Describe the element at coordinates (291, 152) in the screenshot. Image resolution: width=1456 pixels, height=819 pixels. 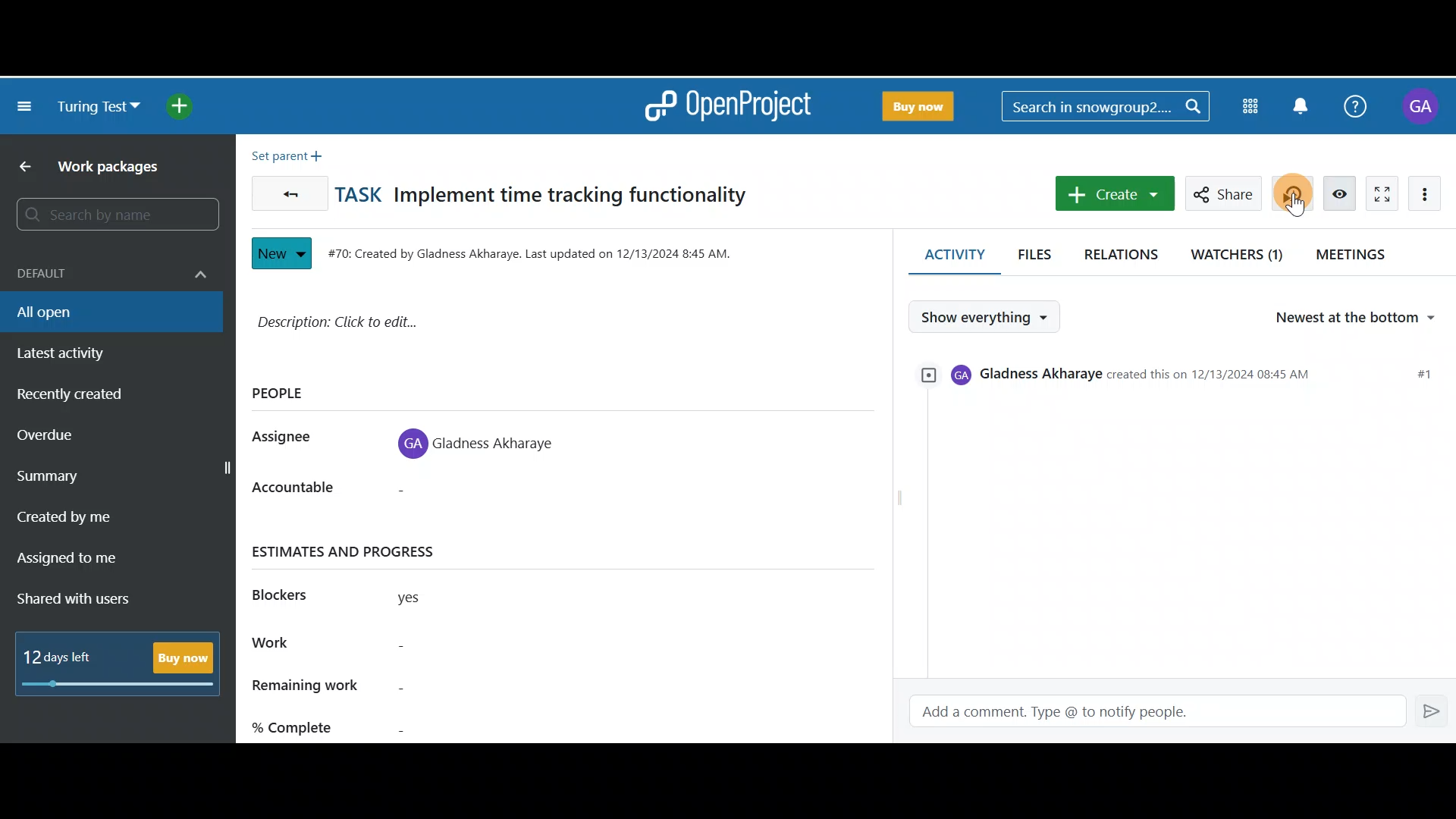
I see `Set parent +` at that location.